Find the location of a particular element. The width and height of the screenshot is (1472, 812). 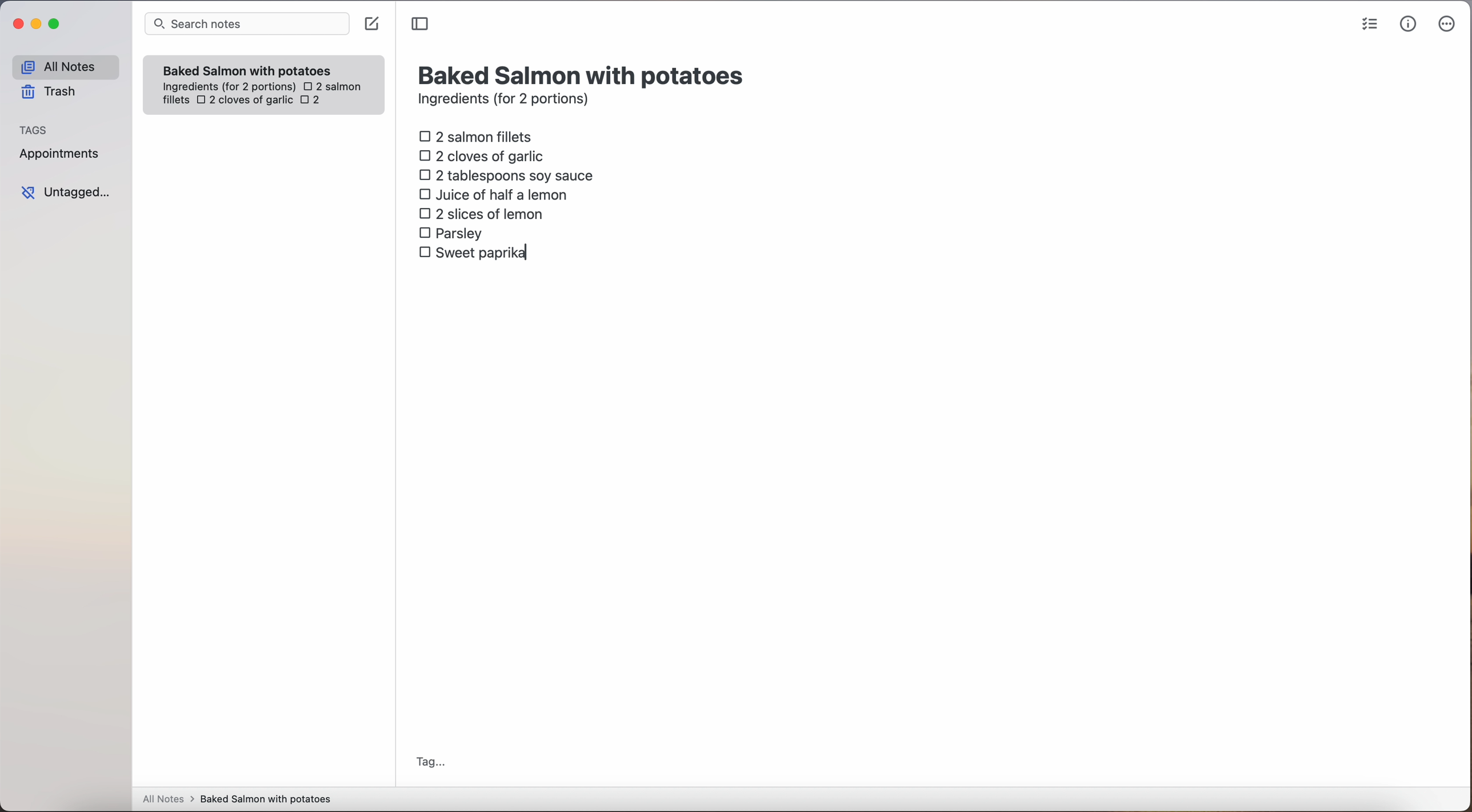

2 salmon is located at coordinates (331, 85).